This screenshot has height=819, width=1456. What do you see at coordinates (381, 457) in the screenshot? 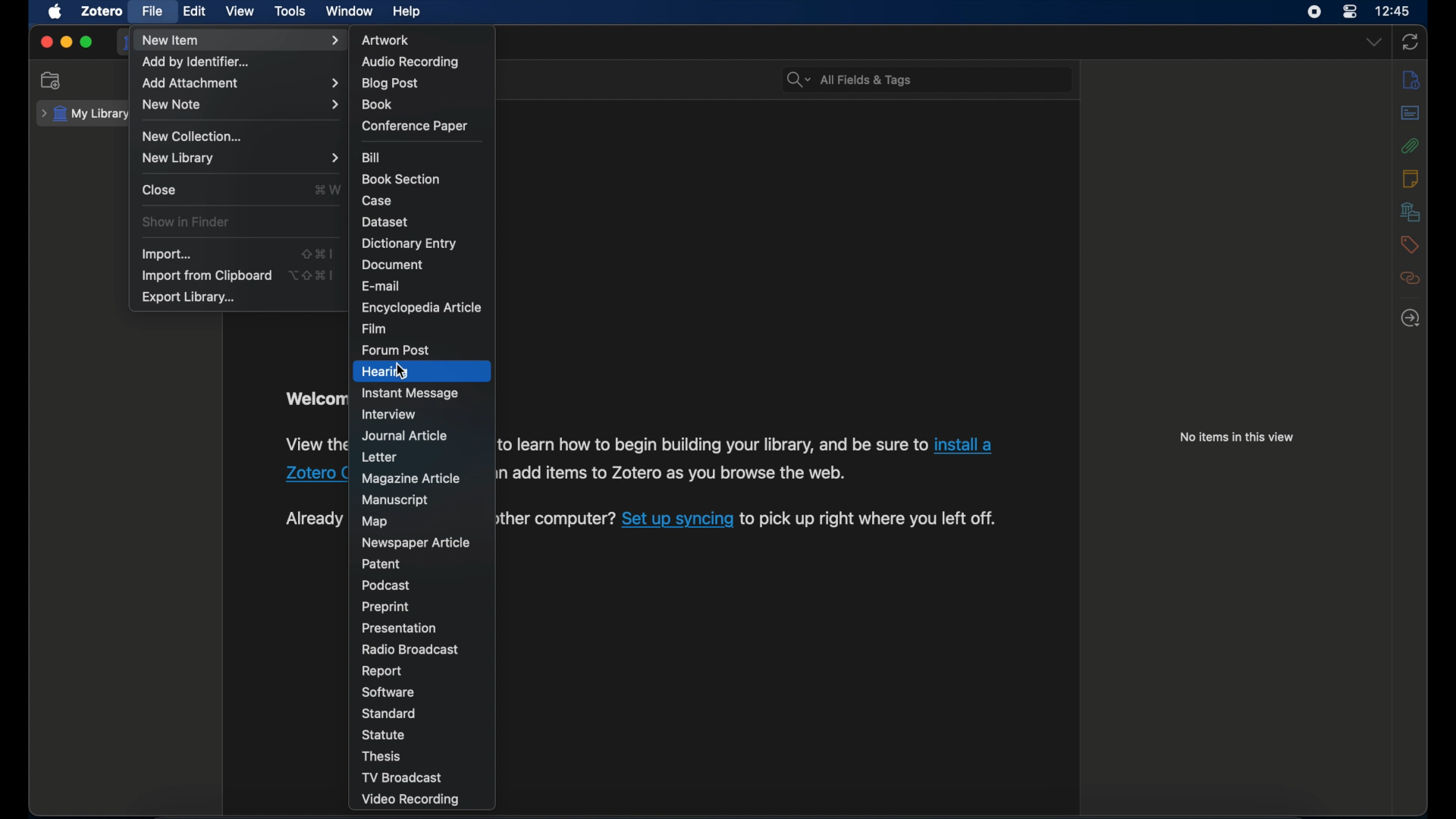
I see `letter` at bounding box center [381, 457].